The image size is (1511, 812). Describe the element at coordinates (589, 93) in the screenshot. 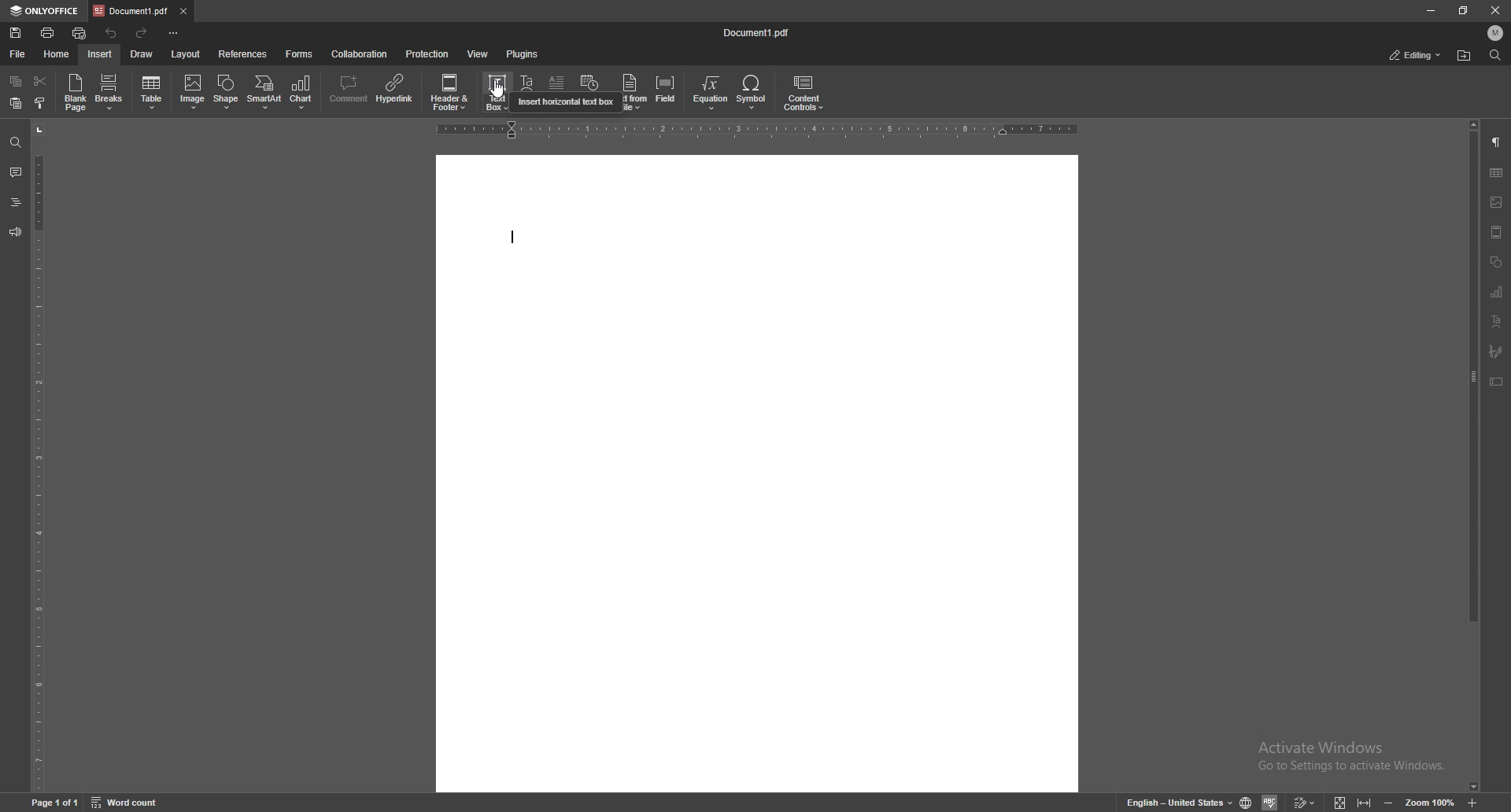

I see `date and time` at that location.